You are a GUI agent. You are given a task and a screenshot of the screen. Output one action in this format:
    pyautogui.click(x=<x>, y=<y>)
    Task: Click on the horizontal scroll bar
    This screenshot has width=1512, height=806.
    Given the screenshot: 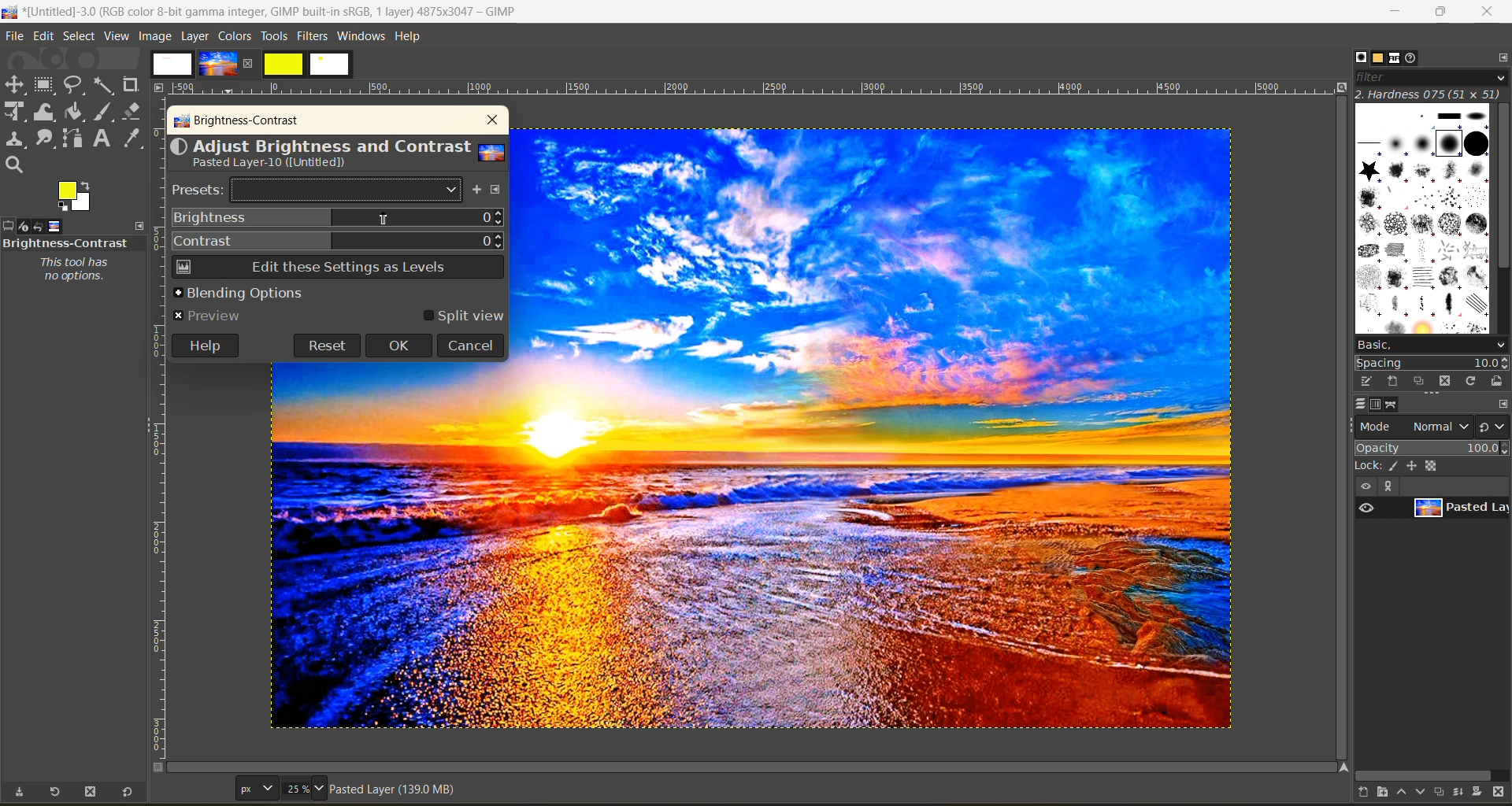 What is the action you would take?
    pyautogui.click(x=69, y=775)
    